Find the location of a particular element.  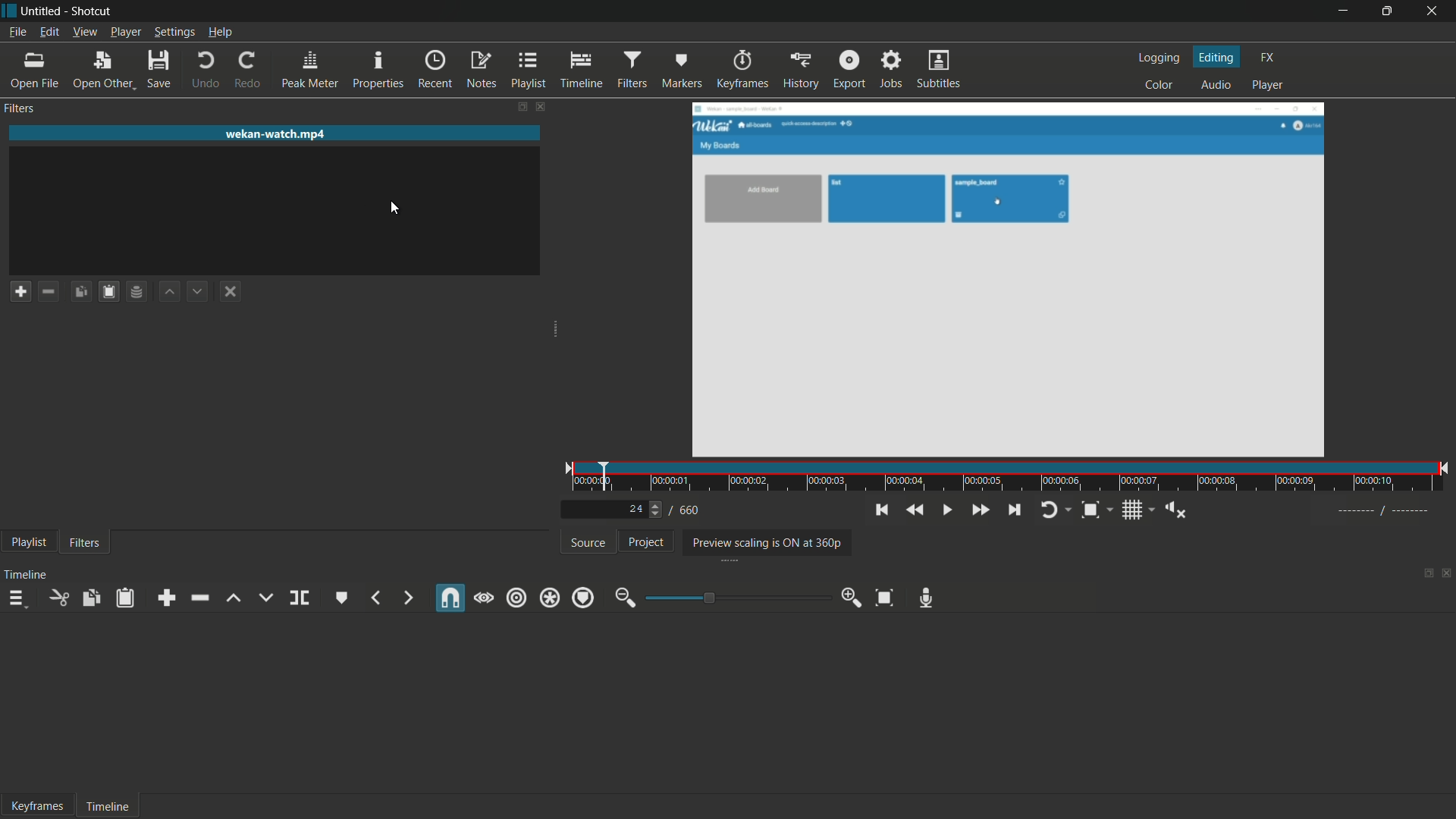

open file is located at coordinates (32, 69).